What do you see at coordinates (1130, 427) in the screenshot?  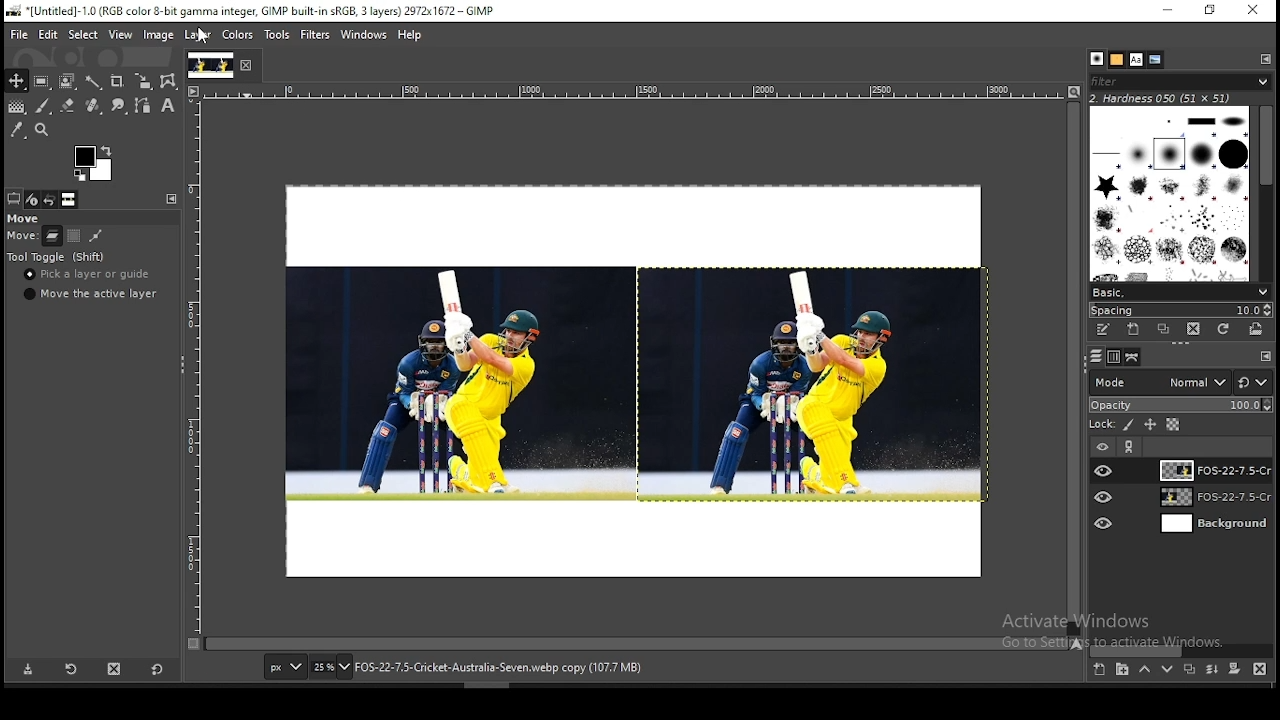 I see `lock pixels` at bounding box center [1130, 427].